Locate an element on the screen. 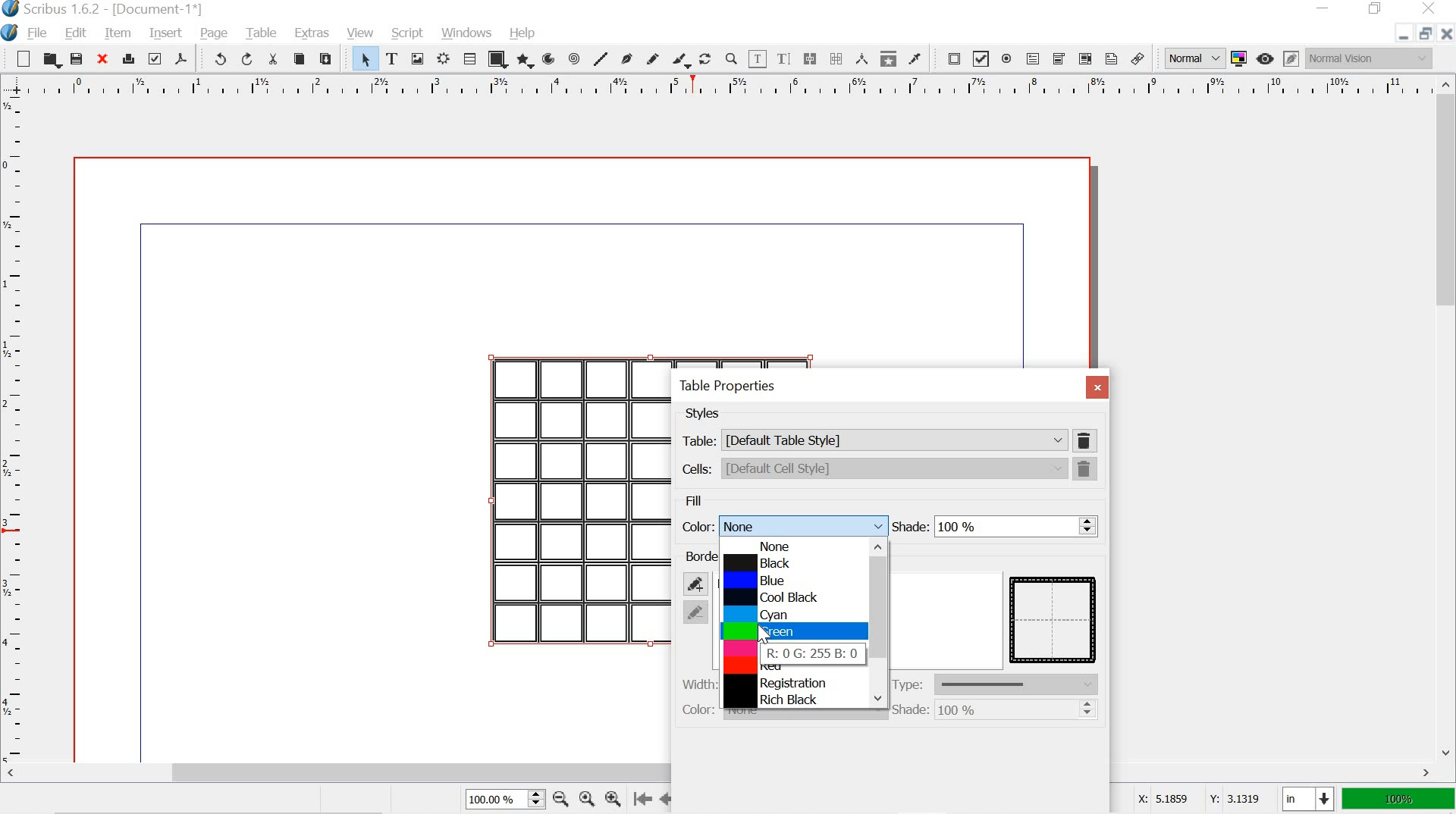 The image size is (1456, 814). in is located at coordinates (1306, 800).